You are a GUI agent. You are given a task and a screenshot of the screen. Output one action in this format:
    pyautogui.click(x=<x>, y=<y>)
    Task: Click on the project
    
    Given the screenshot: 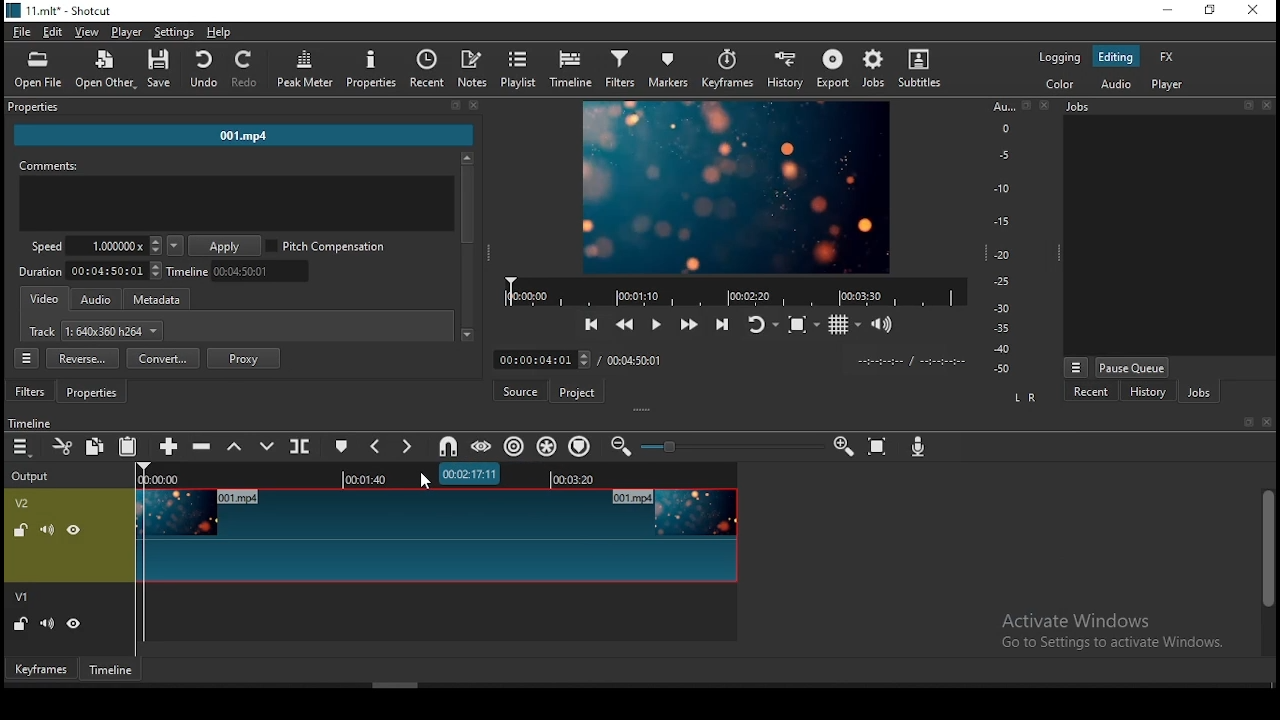 What is the action you would take?
    pyautogui.click(x=579, y=392)
    